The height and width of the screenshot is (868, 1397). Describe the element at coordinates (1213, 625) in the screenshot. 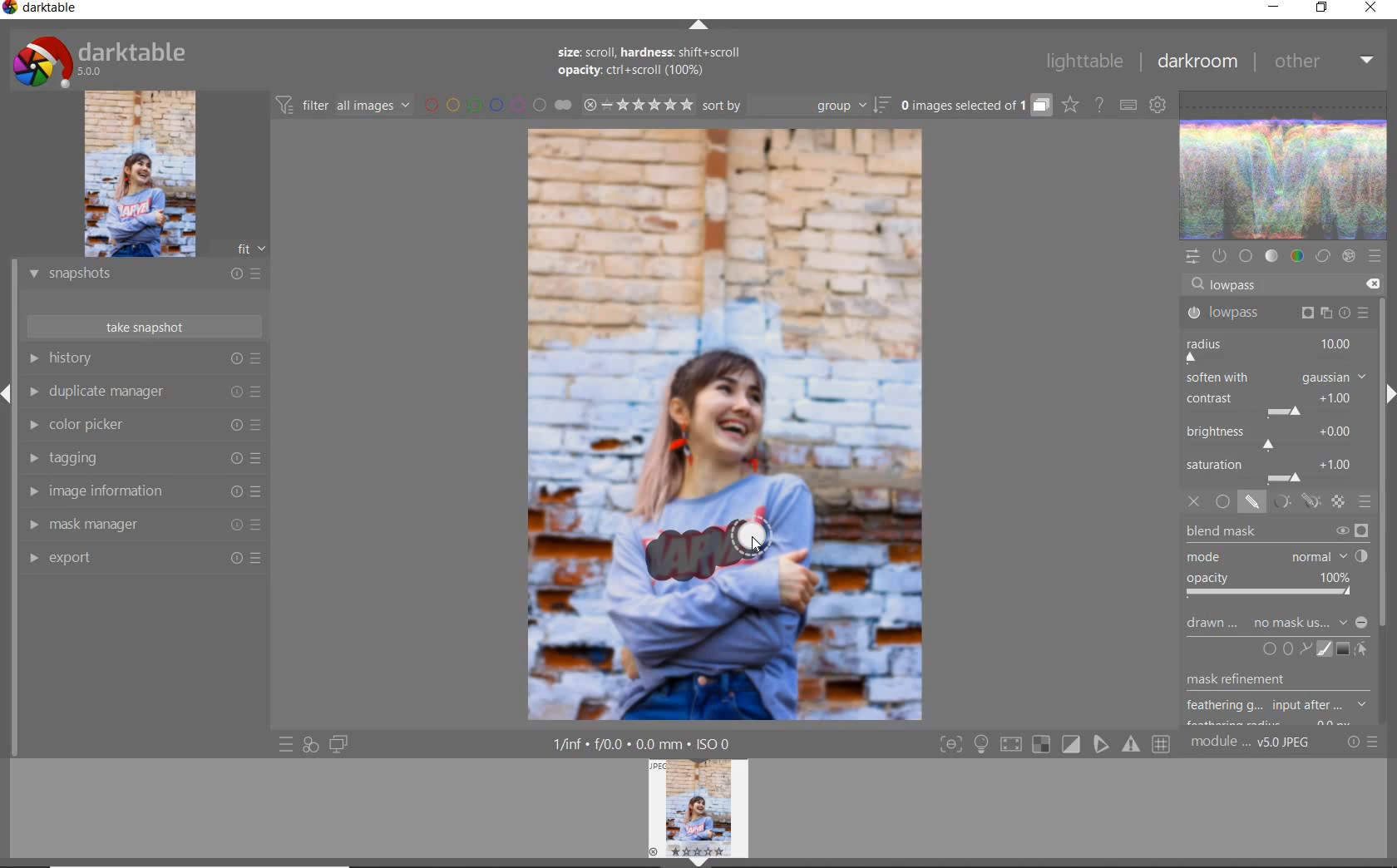

I see `drawn` at that location.